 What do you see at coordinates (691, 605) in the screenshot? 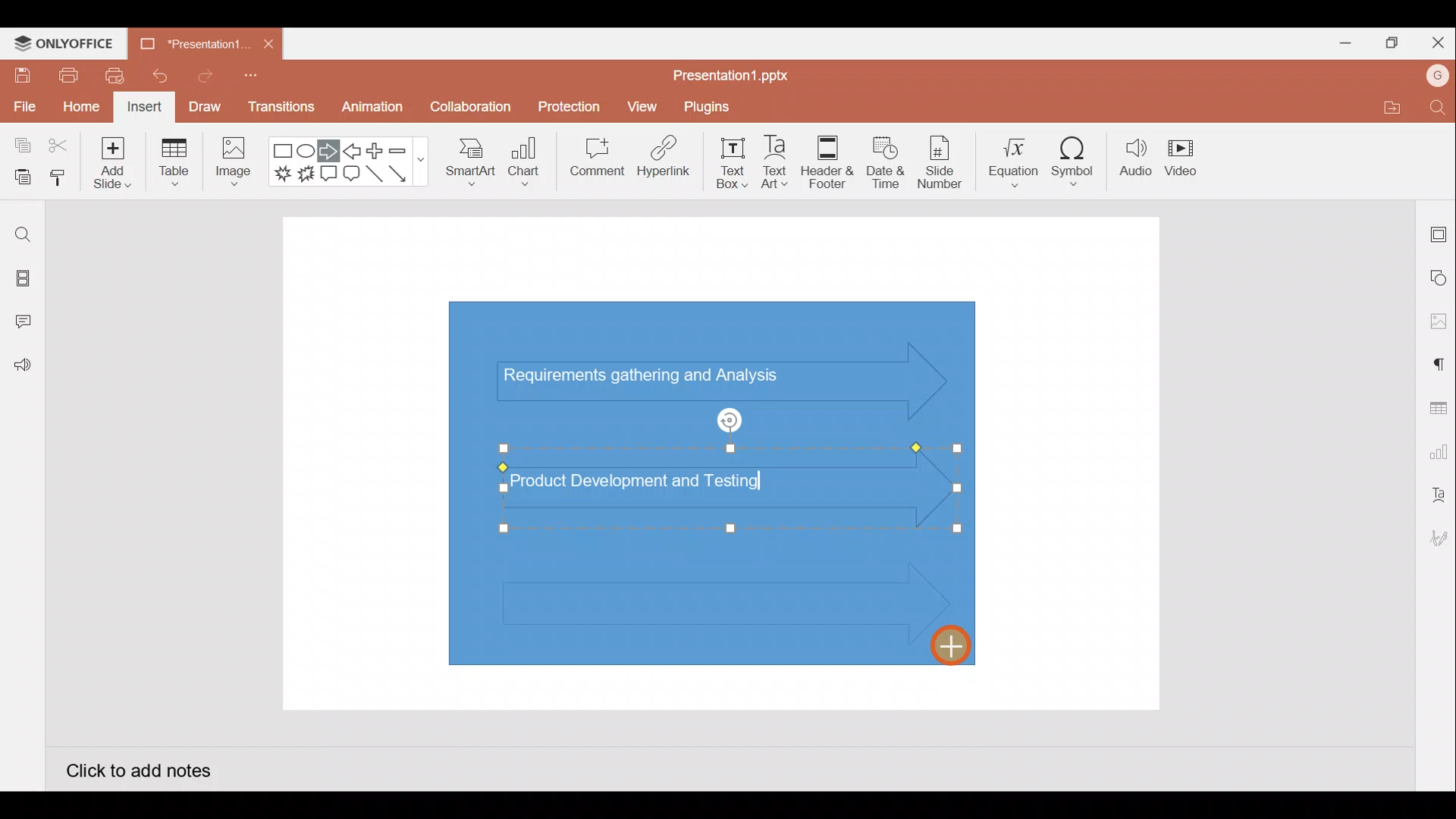
I see `3rd Inserted right arrow shape` at bounding box center [691, 605].